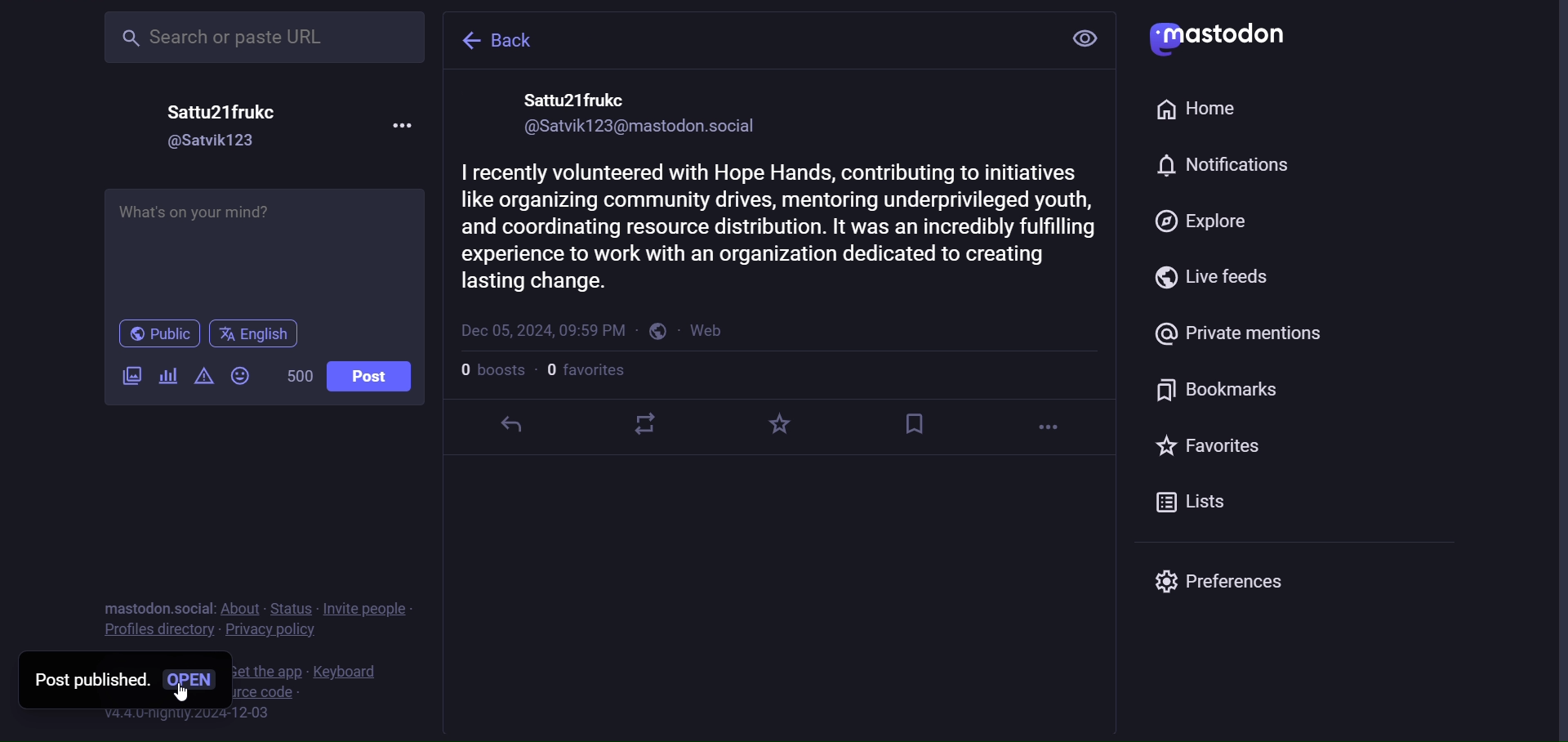 Image resolution: width=1568 pixels, height=742 pixels. I want to click on explore, so click(1203, 223).